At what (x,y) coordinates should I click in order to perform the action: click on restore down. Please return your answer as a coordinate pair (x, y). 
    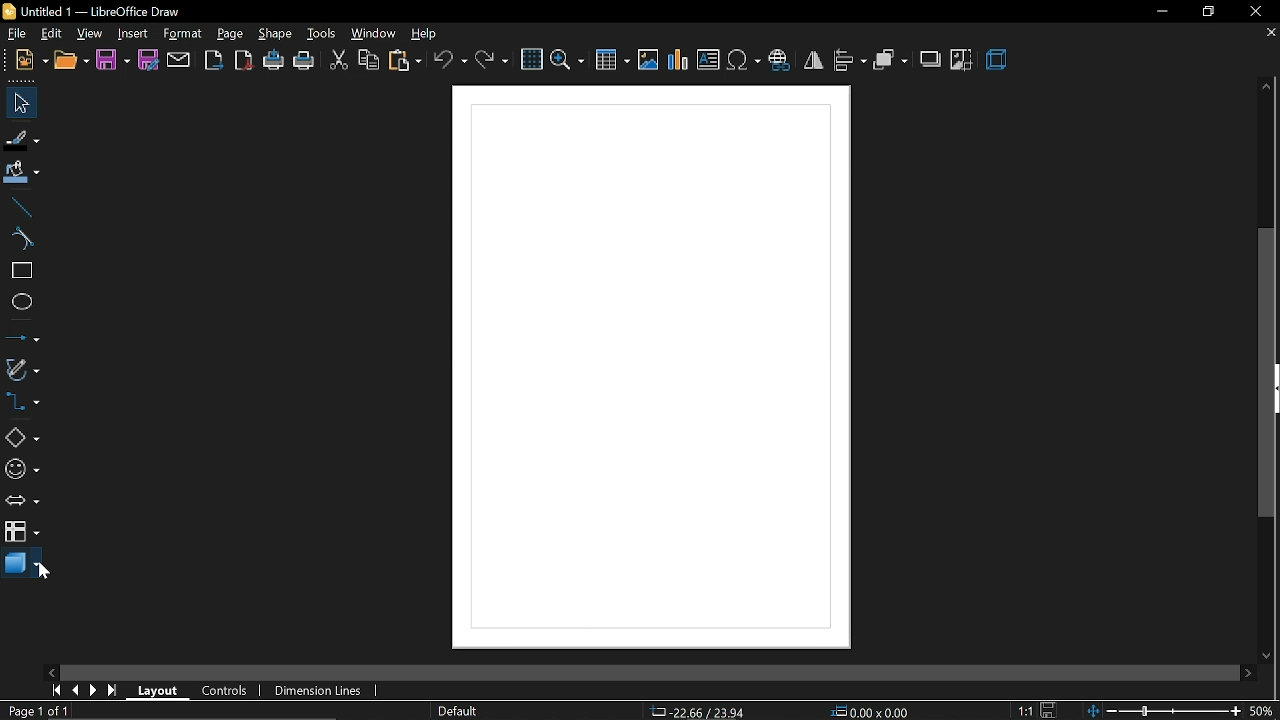
    Looking at the image, I should click on (1206, 11).